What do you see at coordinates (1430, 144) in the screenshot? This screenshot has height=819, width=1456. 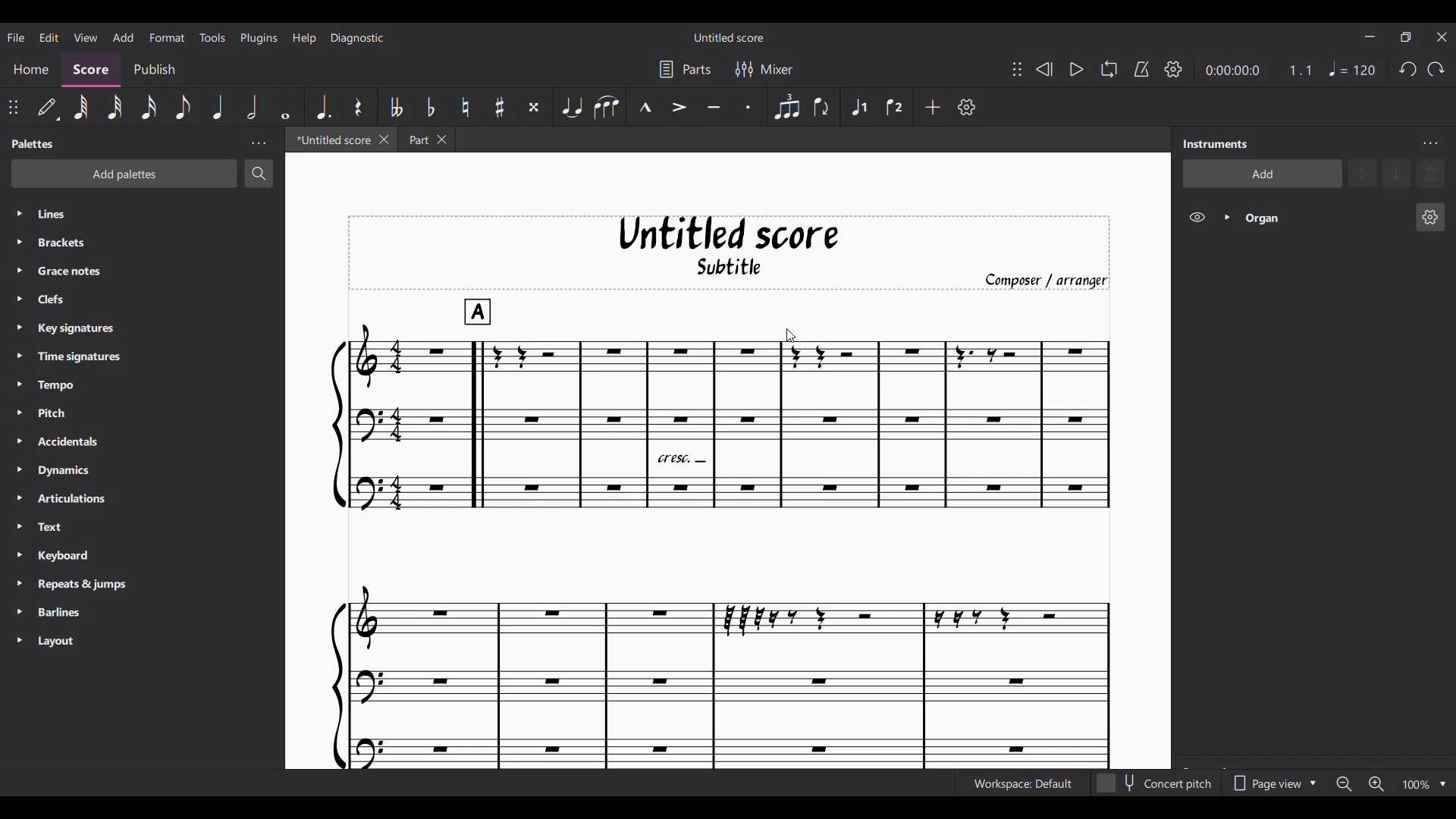 I see `Instrument panel settings` at bounding box center [1430, 144].